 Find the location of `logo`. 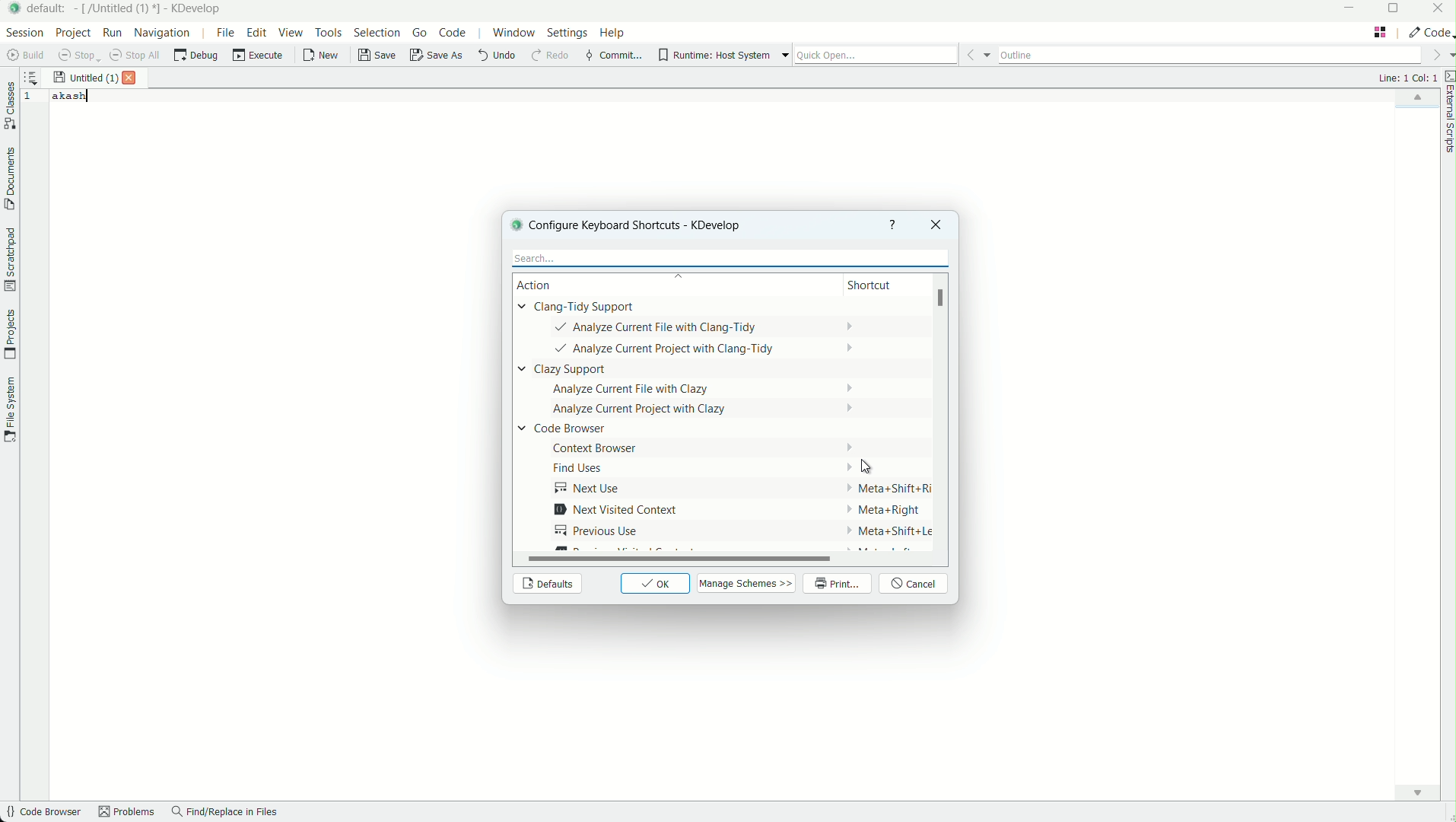

logo is located at coordinates (514, 224).